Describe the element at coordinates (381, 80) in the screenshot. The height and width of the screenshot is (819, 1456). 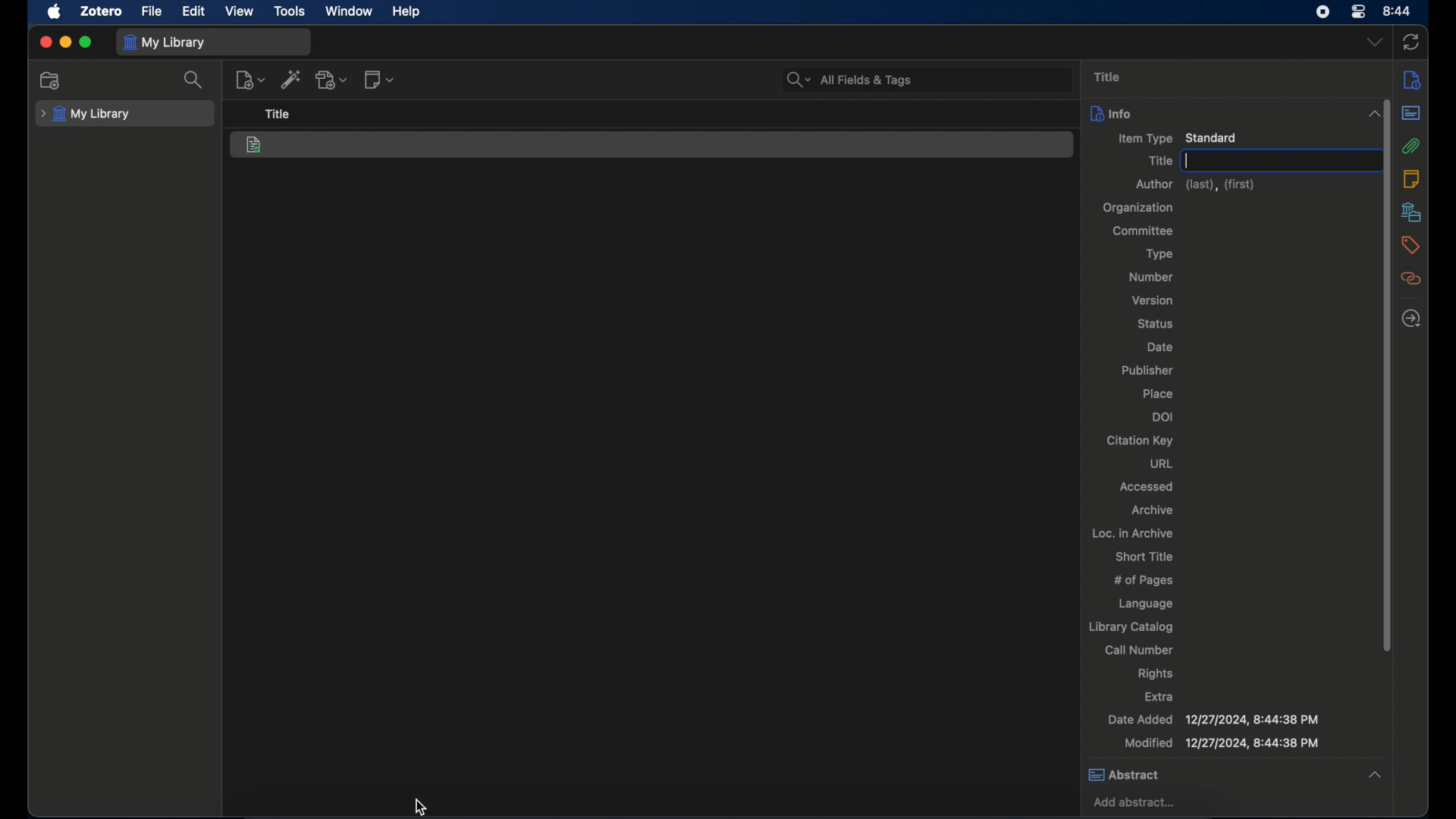
I see `new note` at that location.